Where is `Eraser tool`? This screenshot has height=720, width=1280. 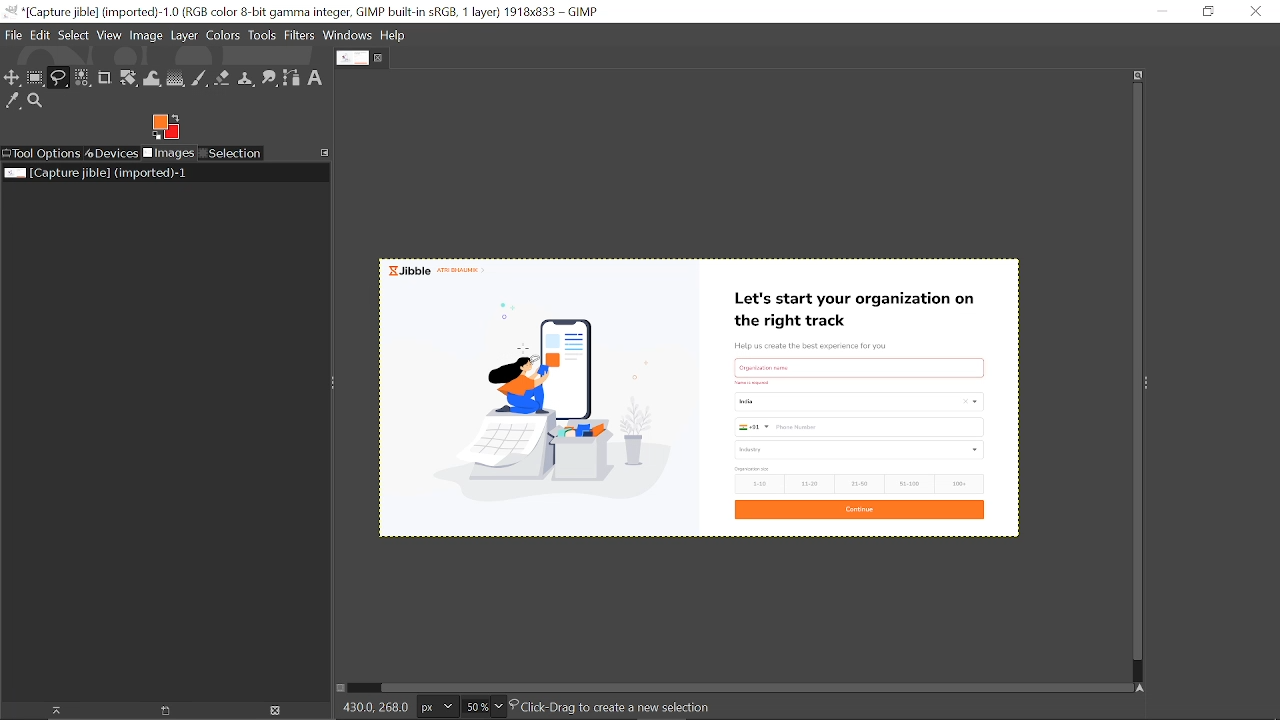 Eraser tool is located at coordinates (222, 78).